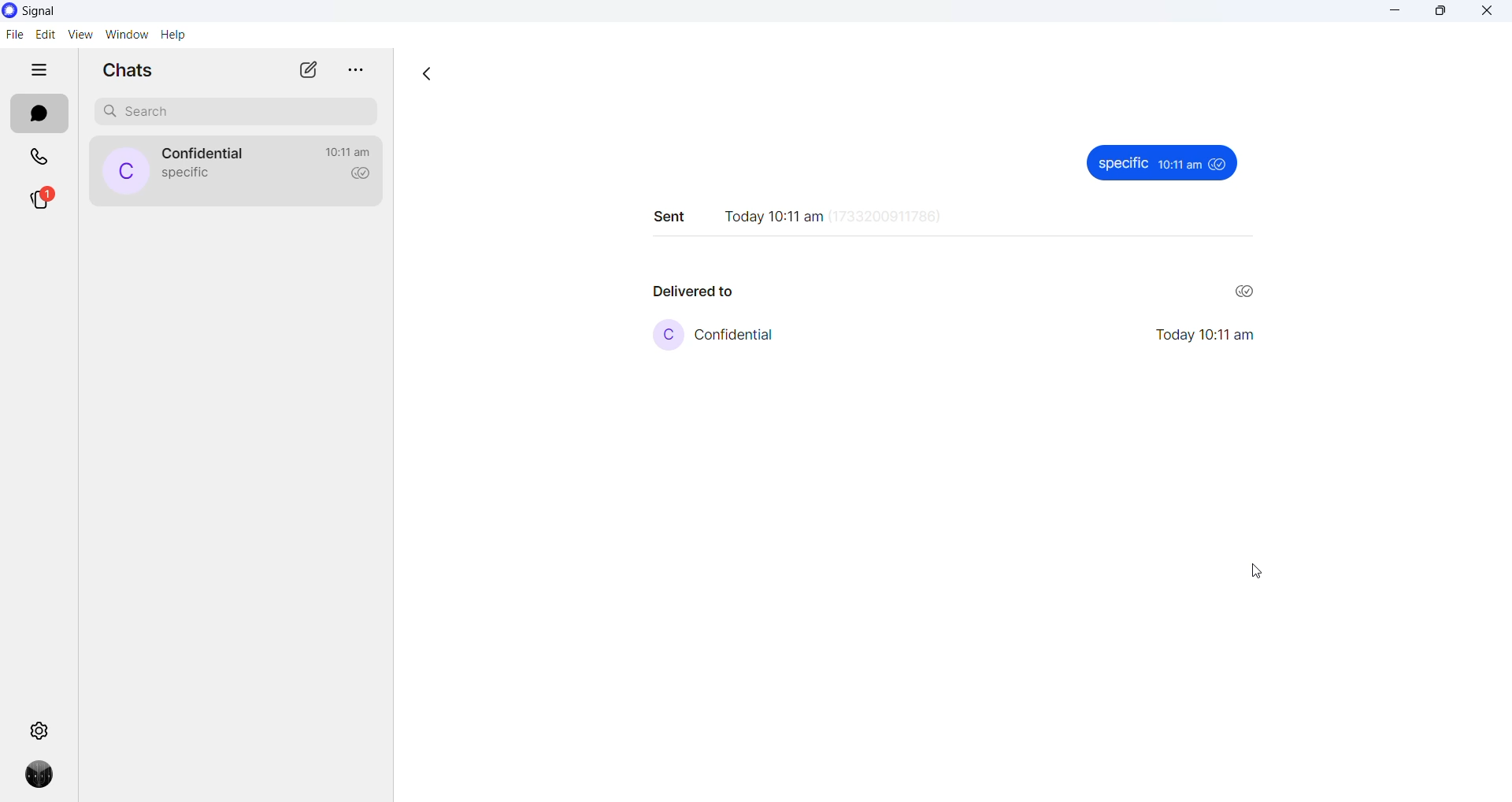 The width and height of the screenshot is (1512, 802). Describe the element at coordinates (43, 202) in the screenshot. I see `stories` at that location.